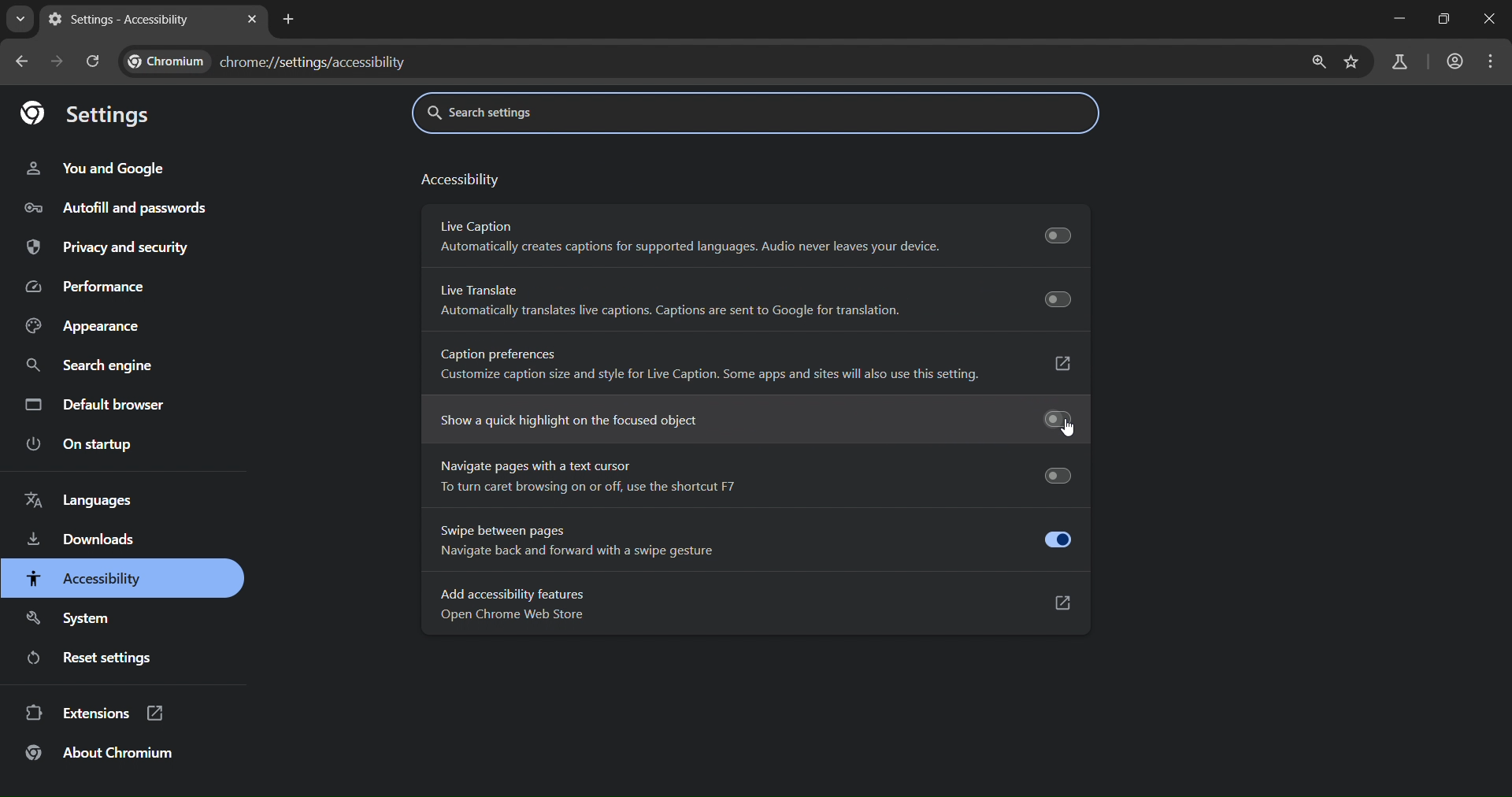 The image size is (1512, 797). What do you see at coordinates (83, 326) in the screenshot?
I see `appearance` at bounding box center [83, 326].